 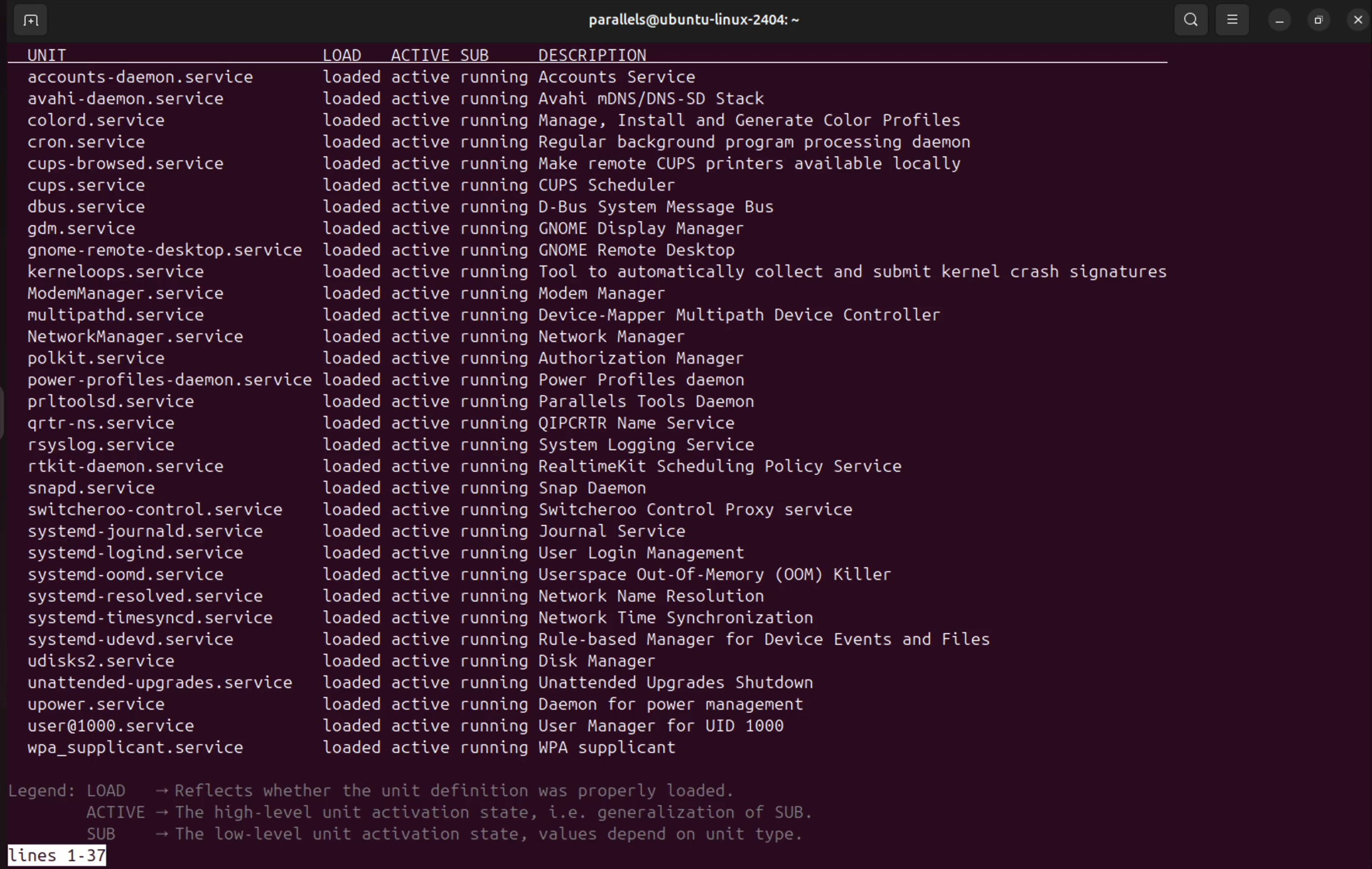 I want to click on , so click(x=357, y=749).